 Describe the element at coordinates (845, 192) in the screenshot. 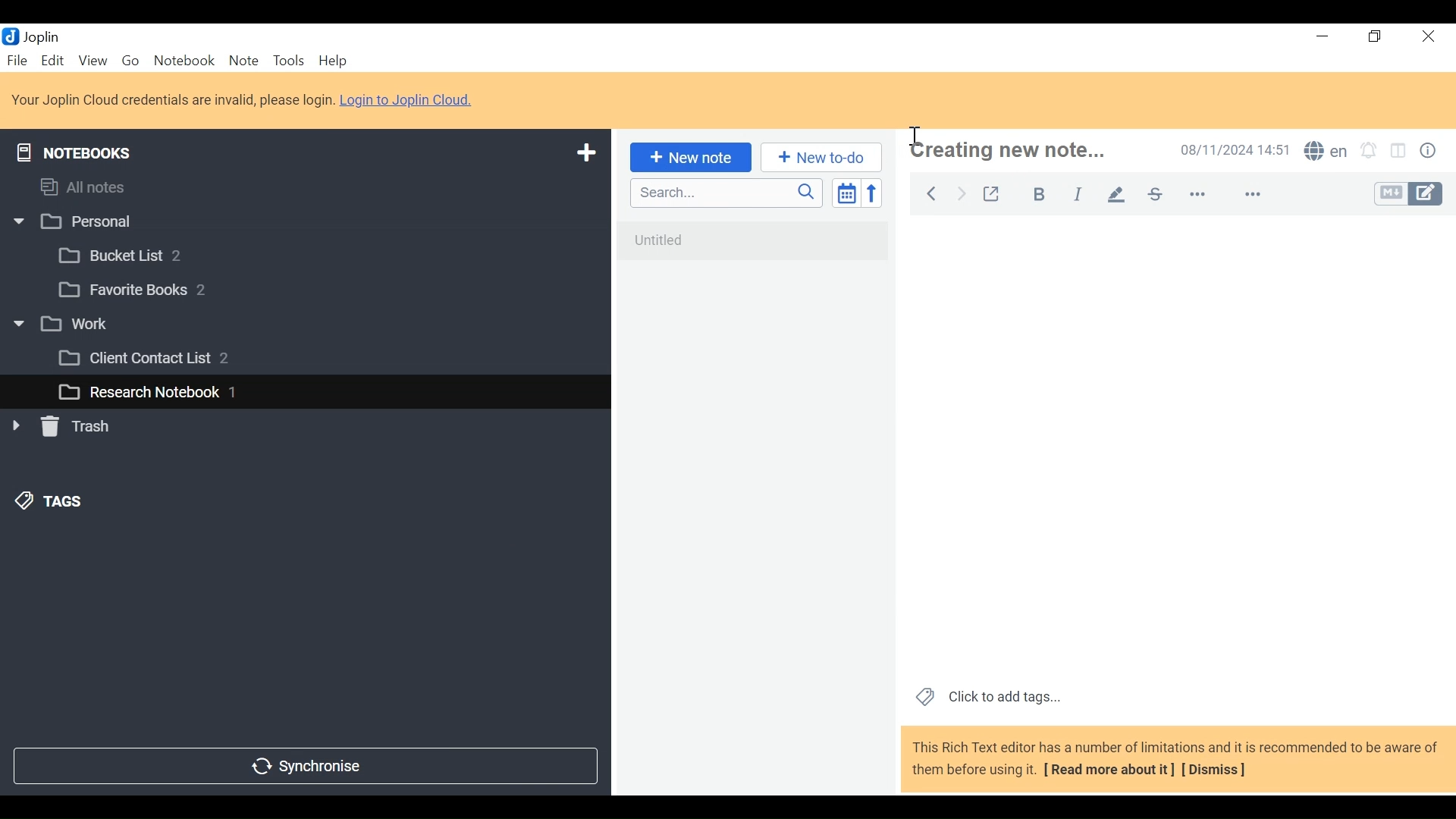

I see `Toggle sort order field` at that location.